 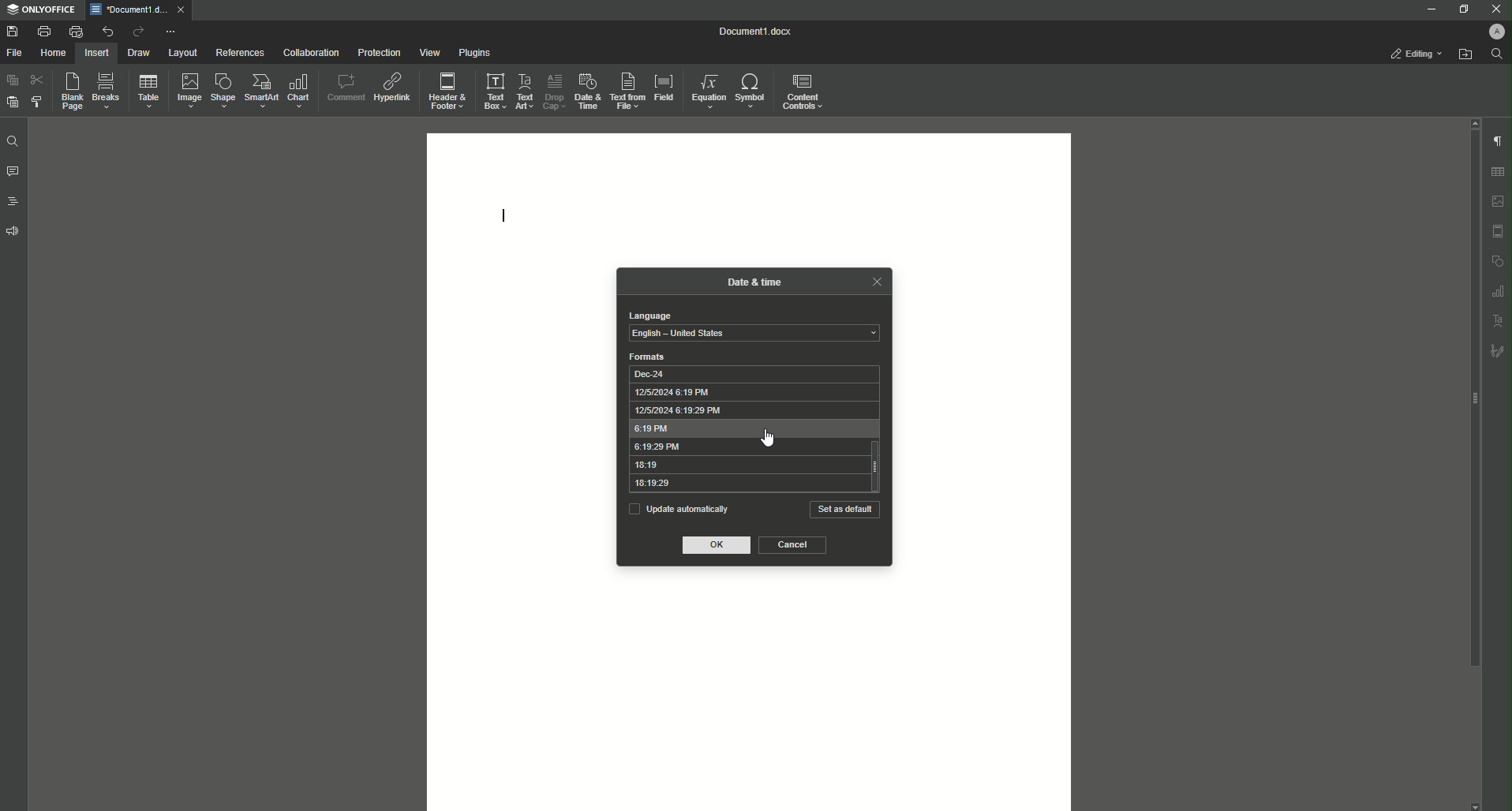 What do you see at coordinates (709, 91) in the screenshot?
I see `Equation` at bounding box center [709, 91].